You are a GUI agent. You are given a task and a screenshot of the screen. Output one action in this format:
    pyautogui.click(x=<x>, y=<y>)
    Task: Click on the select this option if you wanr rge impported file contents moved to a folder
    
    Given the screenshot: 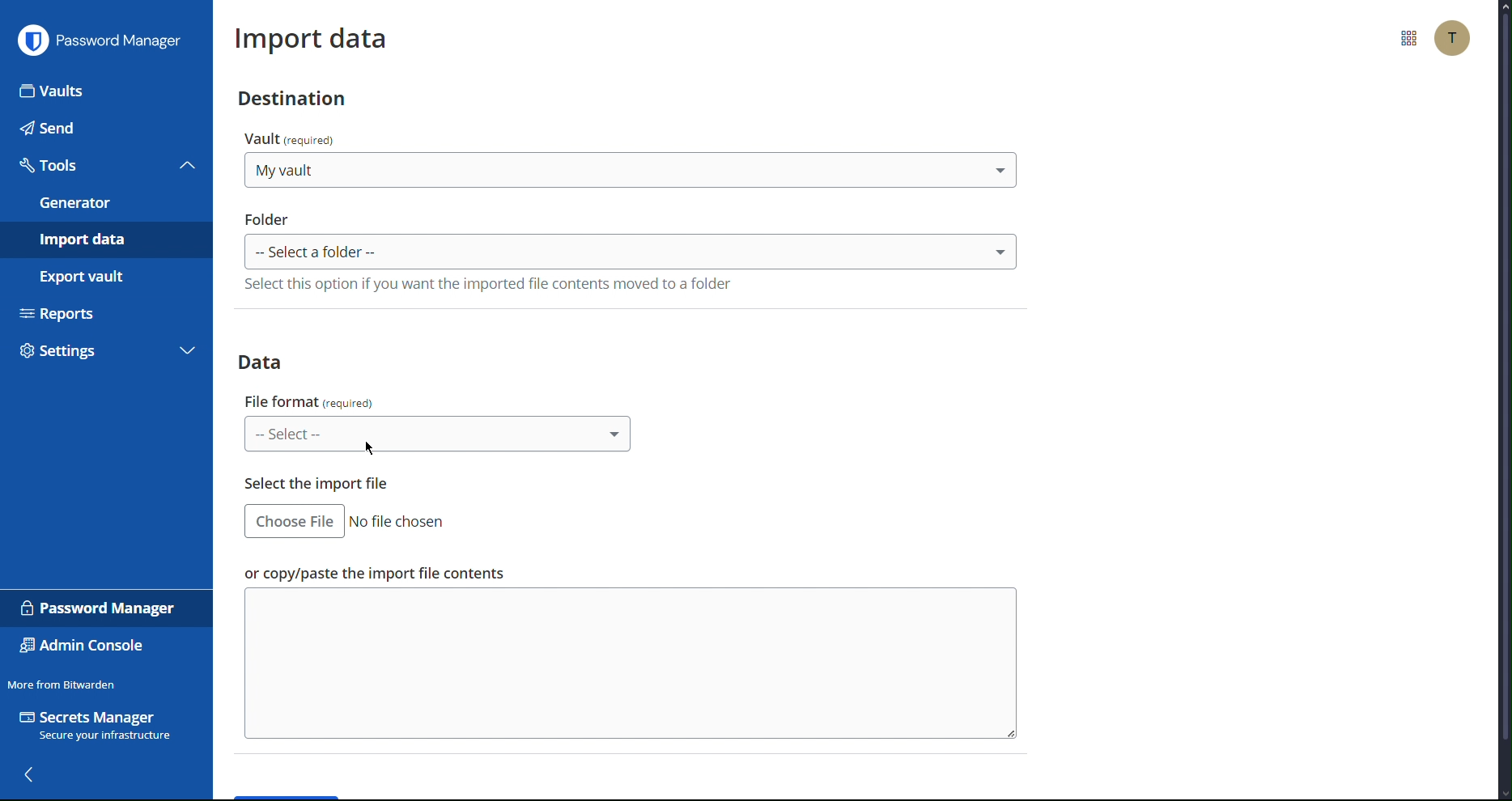 What is the action you would take?
    pyautogui.click(x=490, y=282)
    